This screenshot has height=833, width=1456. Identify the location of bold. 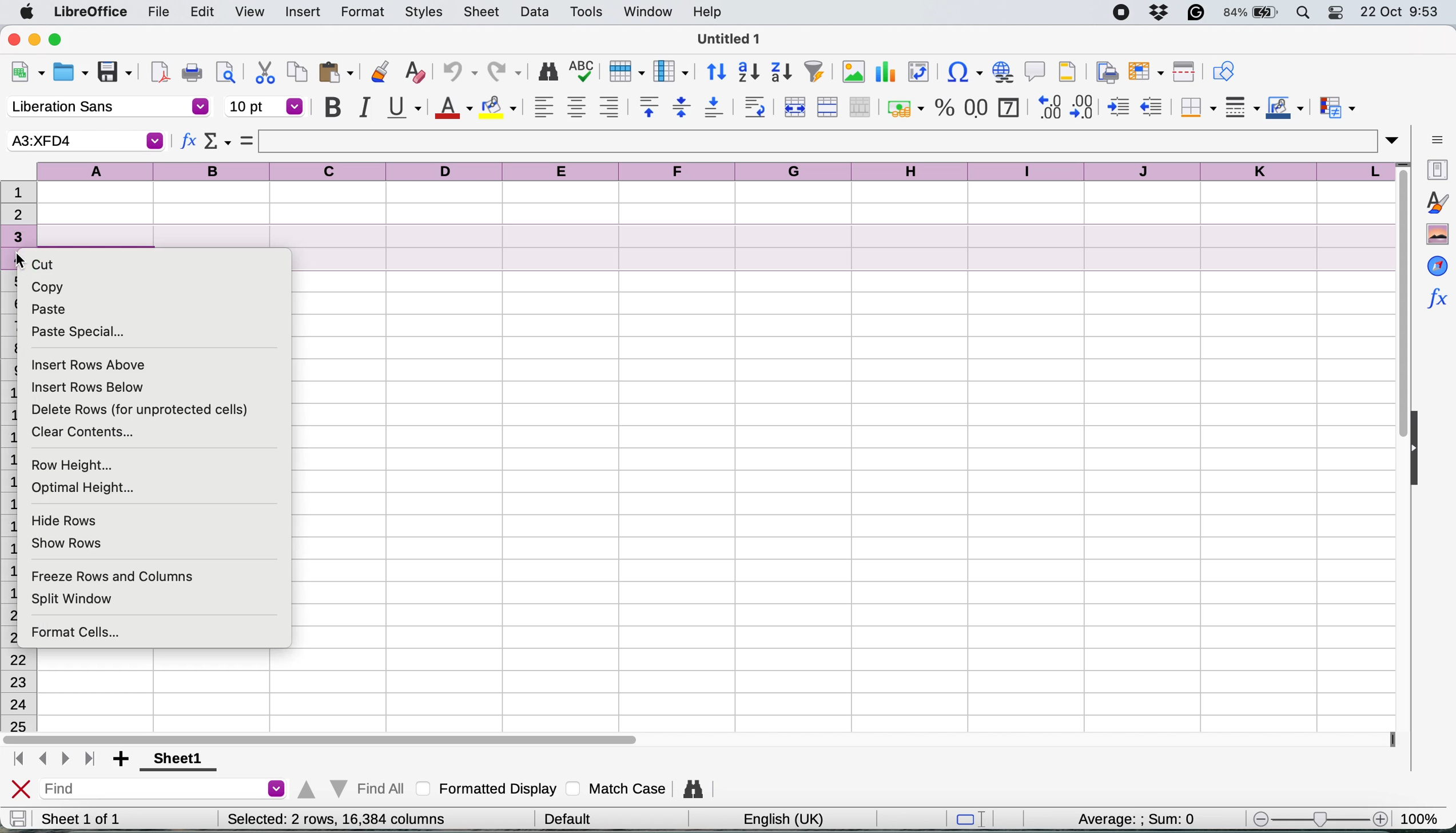
(332, 108).